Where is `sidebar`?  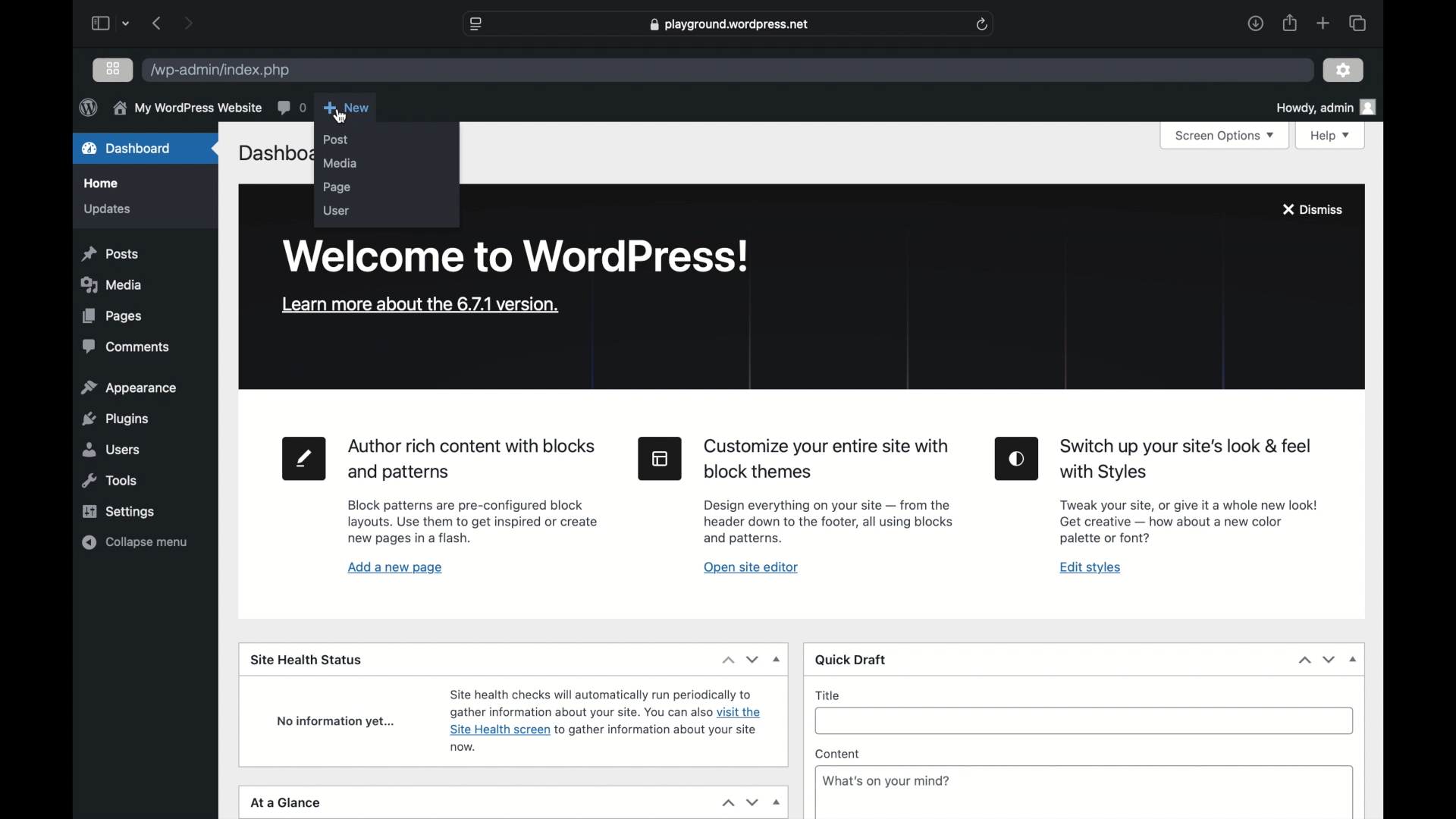
sidebar is located at coordinates (99, 23).